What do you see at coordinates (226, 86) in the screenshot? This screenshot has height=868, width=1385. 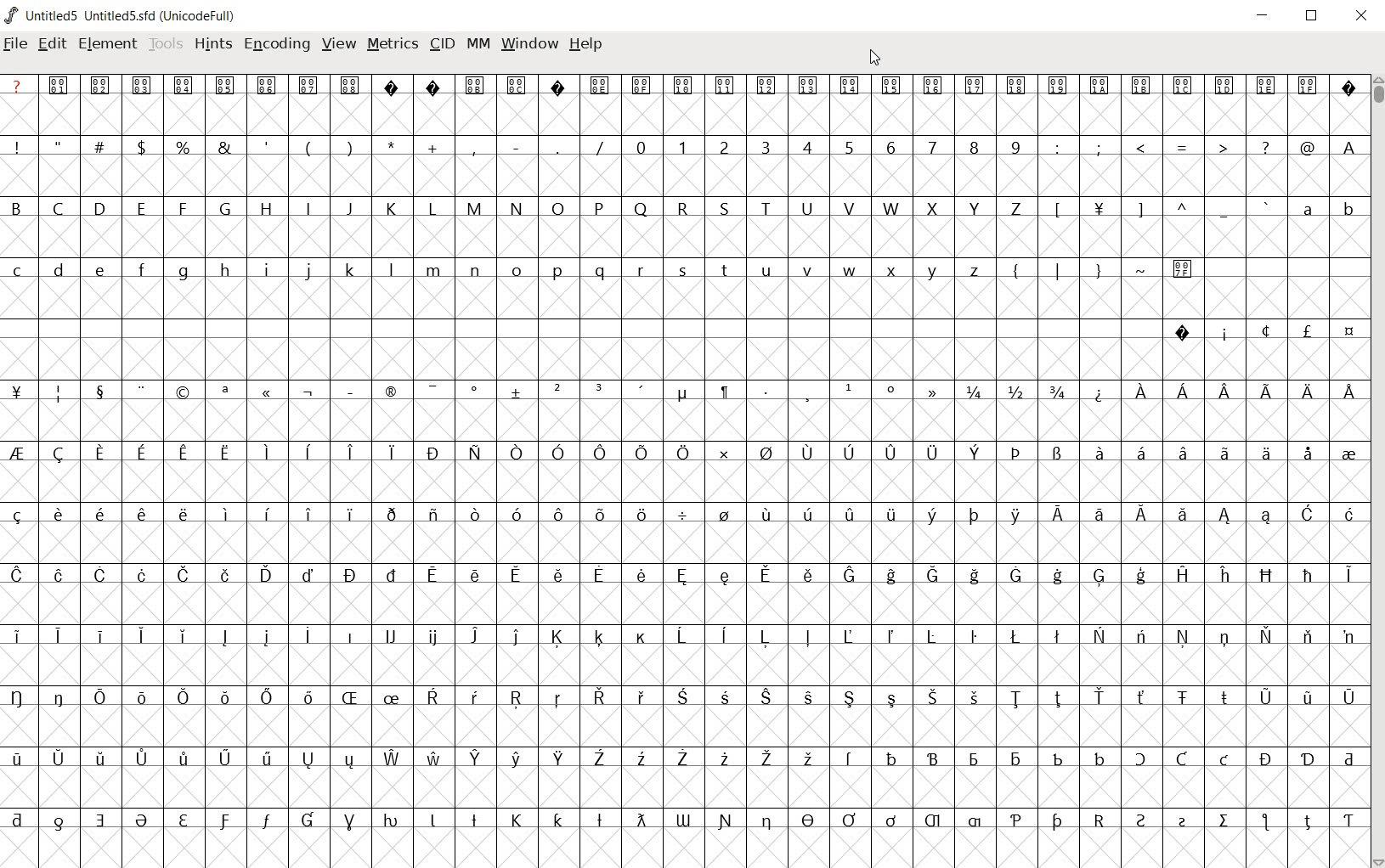 I see `Symbol` at bounding box center [226, 86].